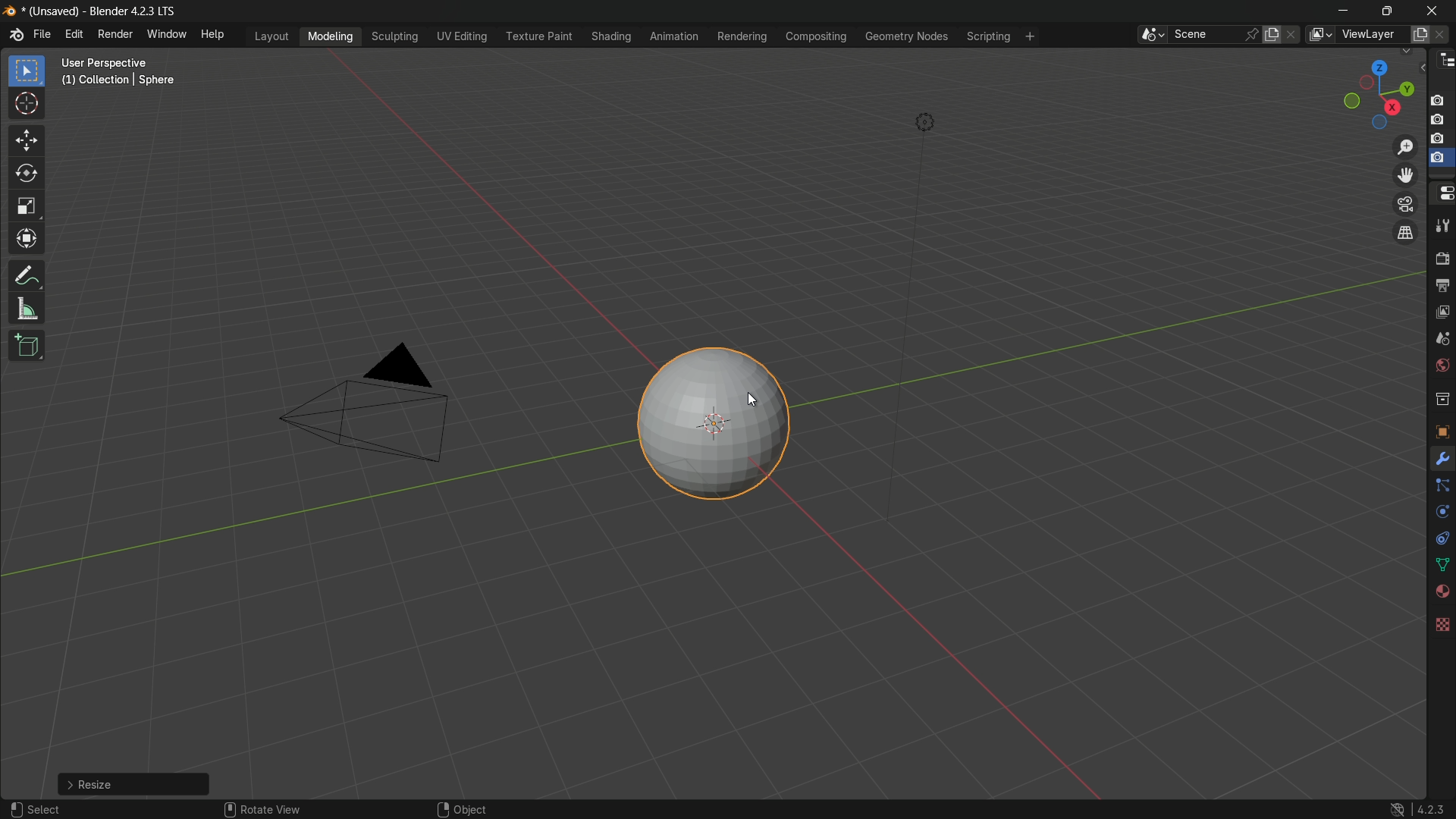 This screenshot has height=819, width=1456. Describe the element at coordinates (280, 805) in the screenshot. I see `rotate view` at that location.